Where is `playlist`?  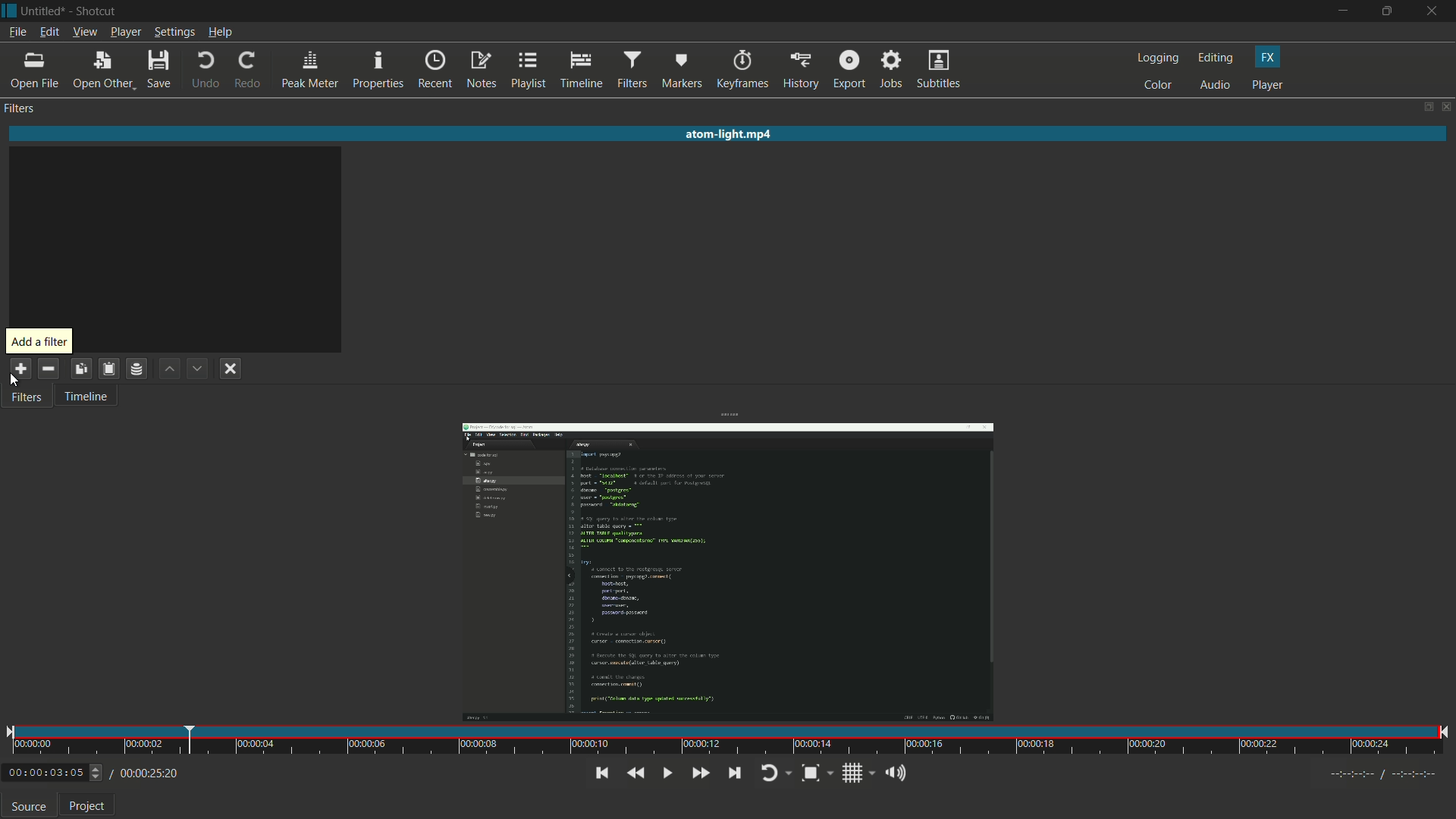 playlist is located at coordinates (530, 71).